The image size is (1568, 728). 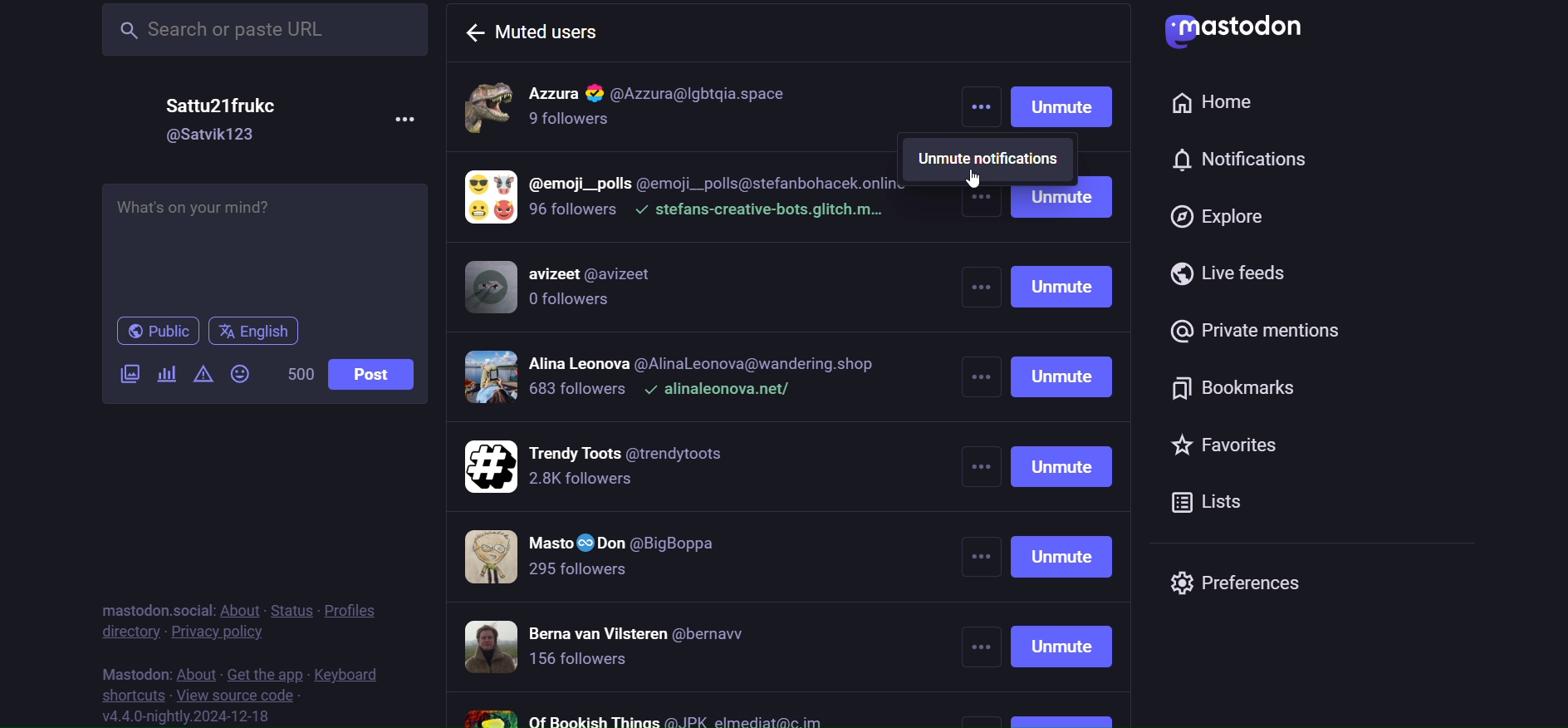 I want to click on shortcut, so click(x=135, y=693).